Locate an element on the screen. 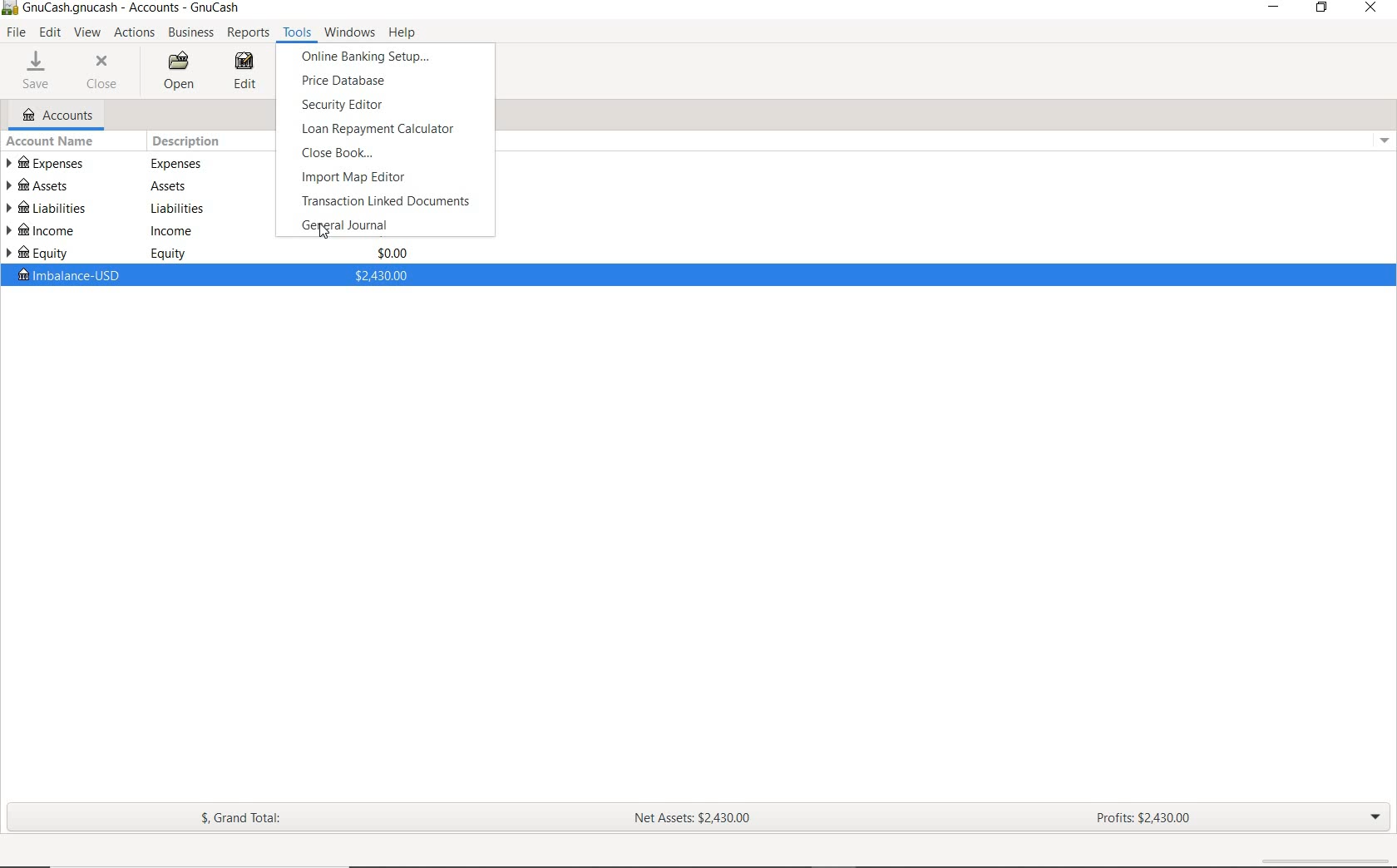 Image resolution: width=1397 pixels, height=868 pixels. ASSETS is located at coordinates (48, 184).